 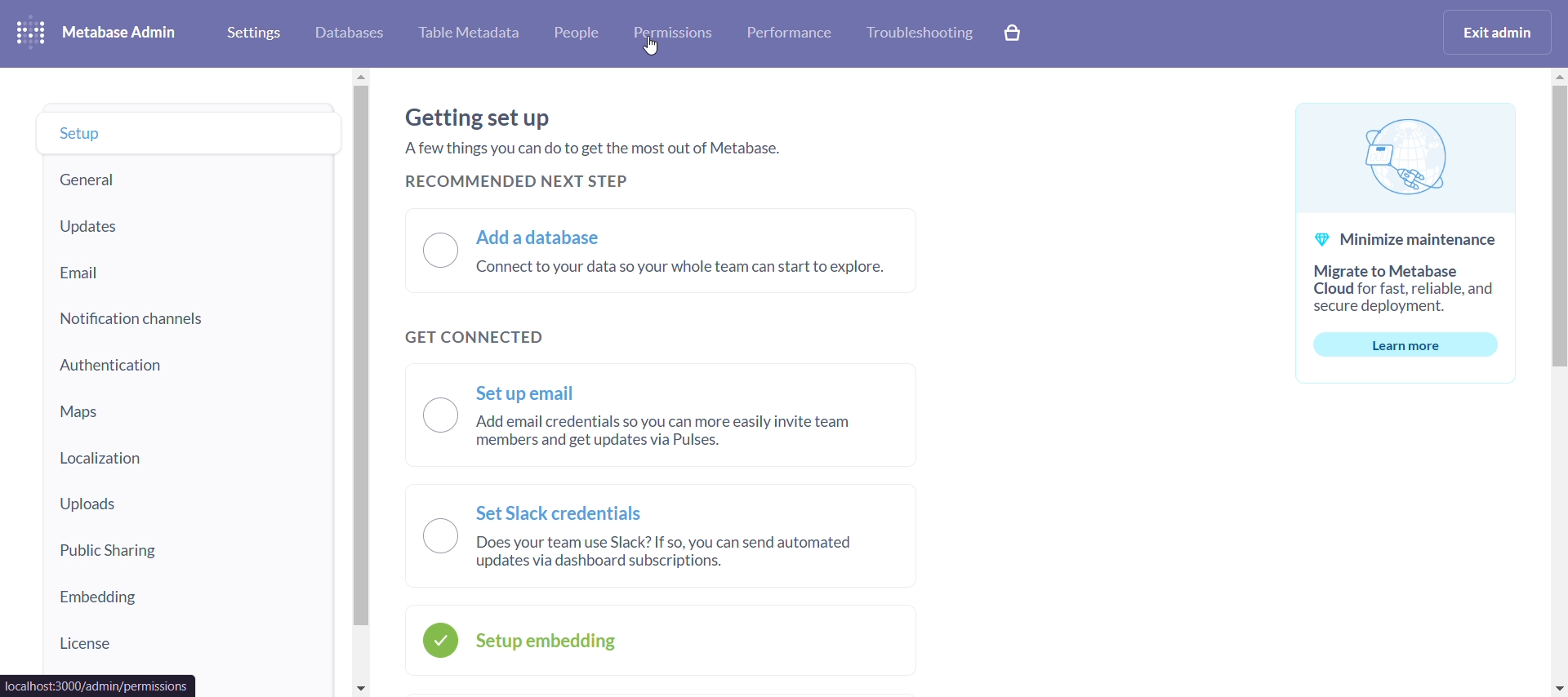 I want to click on performance, so click(x=791, y=37).